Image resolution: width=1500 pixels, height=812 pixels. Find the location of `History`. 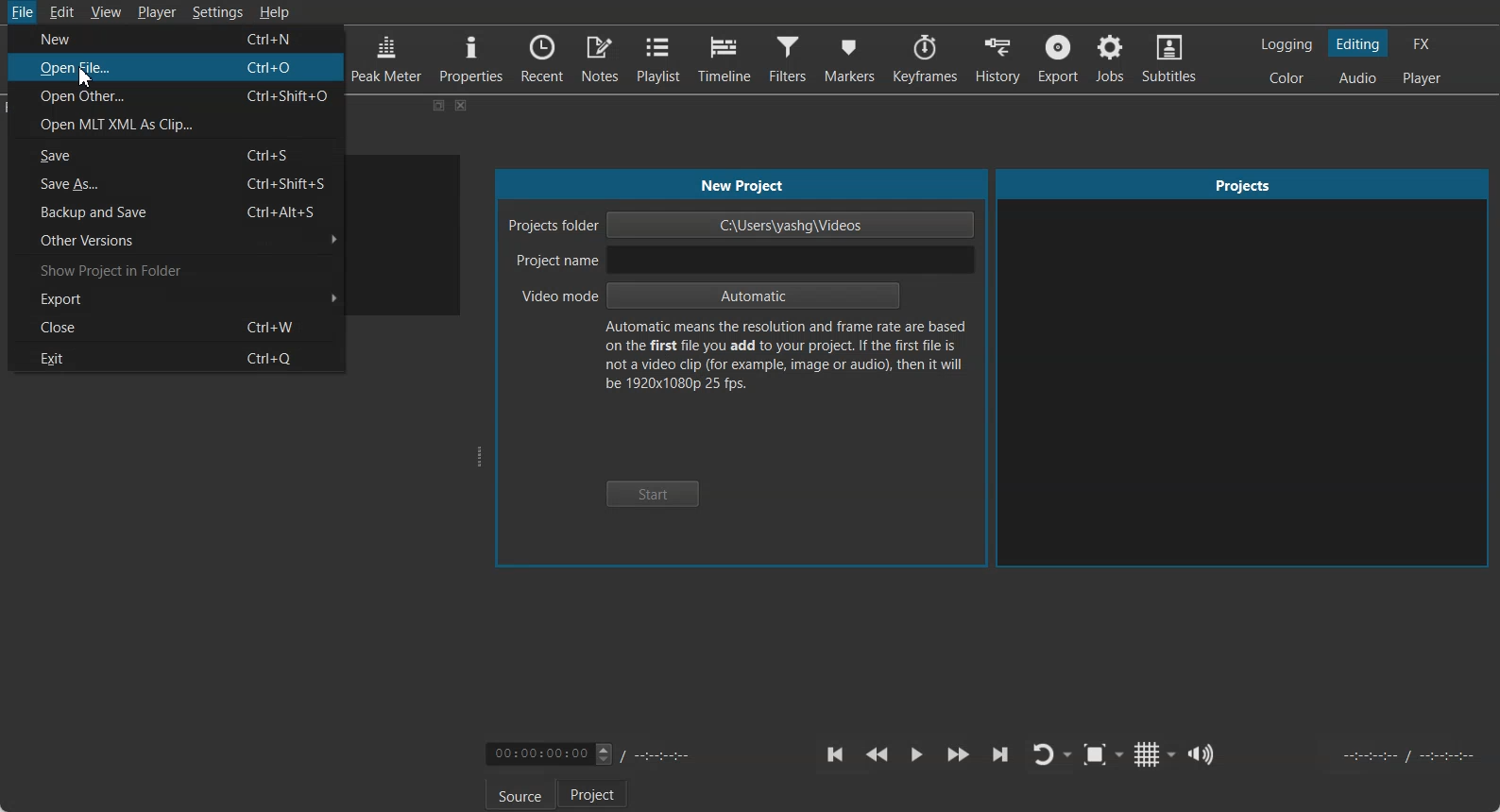

History is located at coordinates (1000, 59).